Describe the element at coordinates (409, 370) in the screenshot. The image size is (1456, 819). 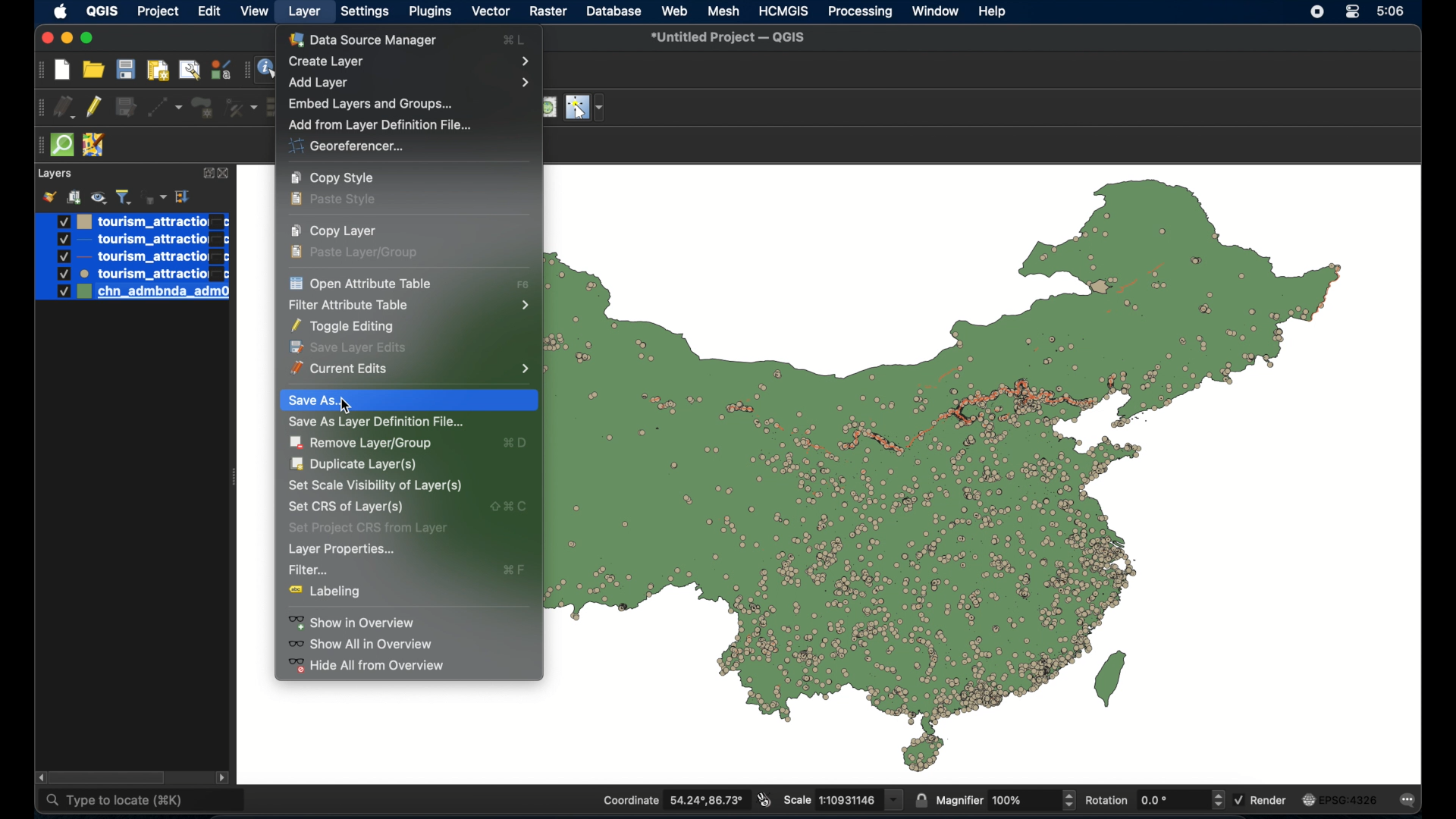
I see `current edits menu` at that location.